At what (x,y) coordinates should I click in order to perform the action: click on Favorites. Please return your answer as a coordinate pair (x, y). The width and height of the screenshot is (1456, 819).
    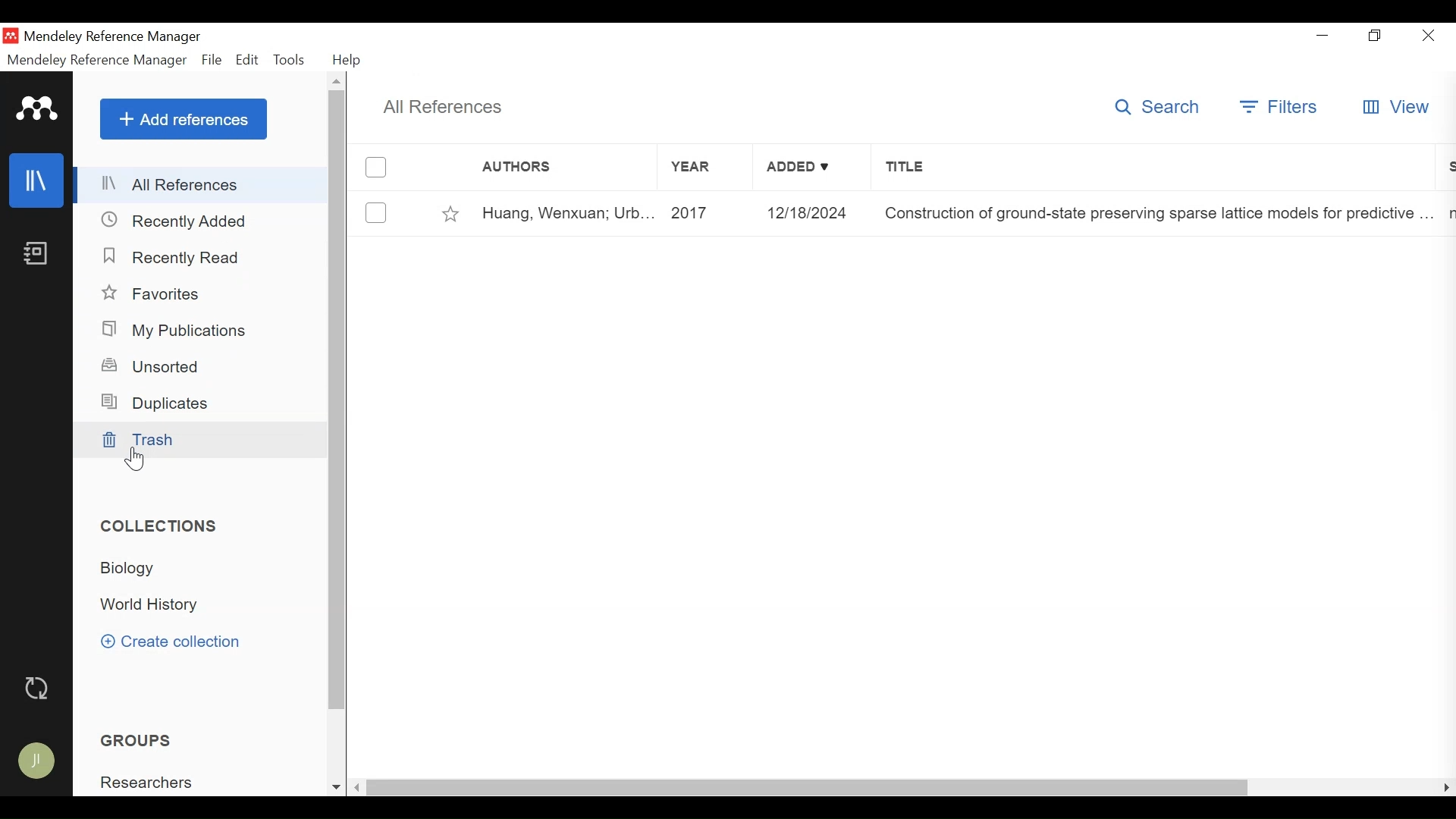
    Looking at the image, I should click on (161, 293).